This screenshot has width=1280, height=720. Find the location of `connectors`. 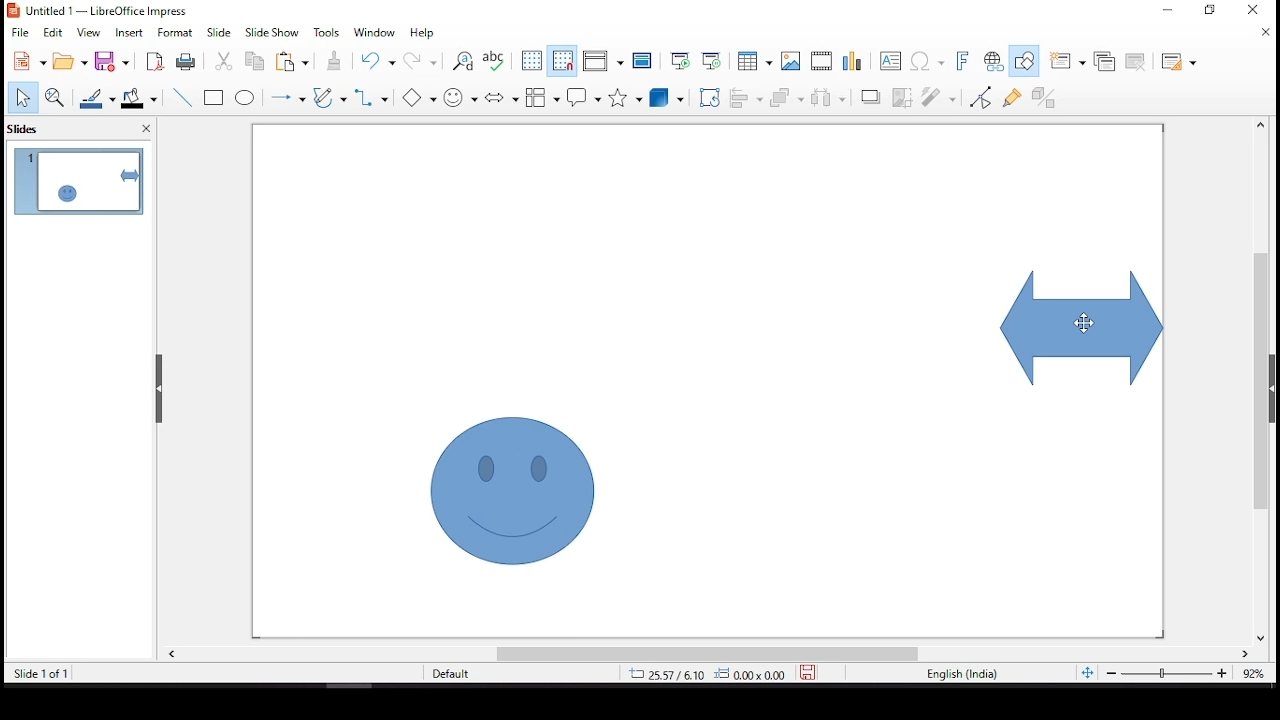

connectors is located at coordinates (370, 97).